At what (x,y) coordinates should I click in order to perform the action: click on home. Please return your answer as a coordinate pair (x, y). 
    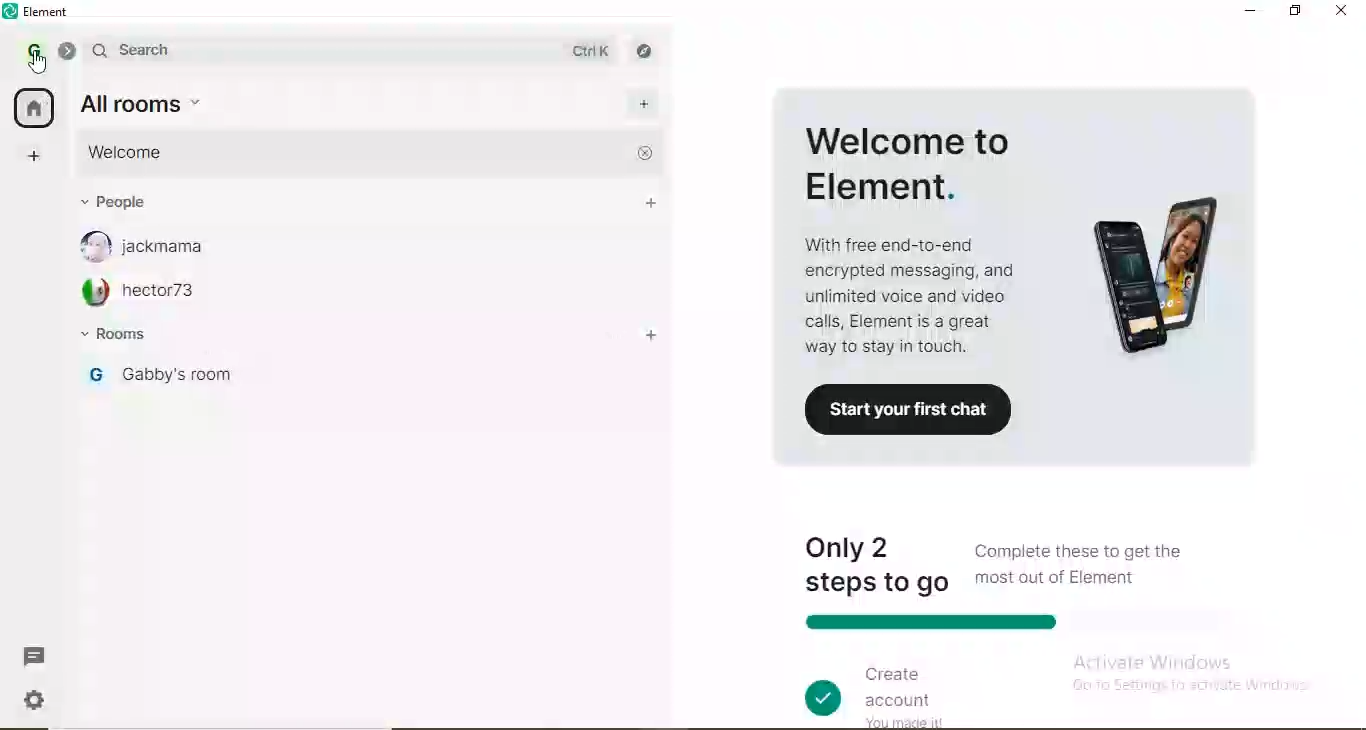
    Looking at the image, I should click on (32, 107).